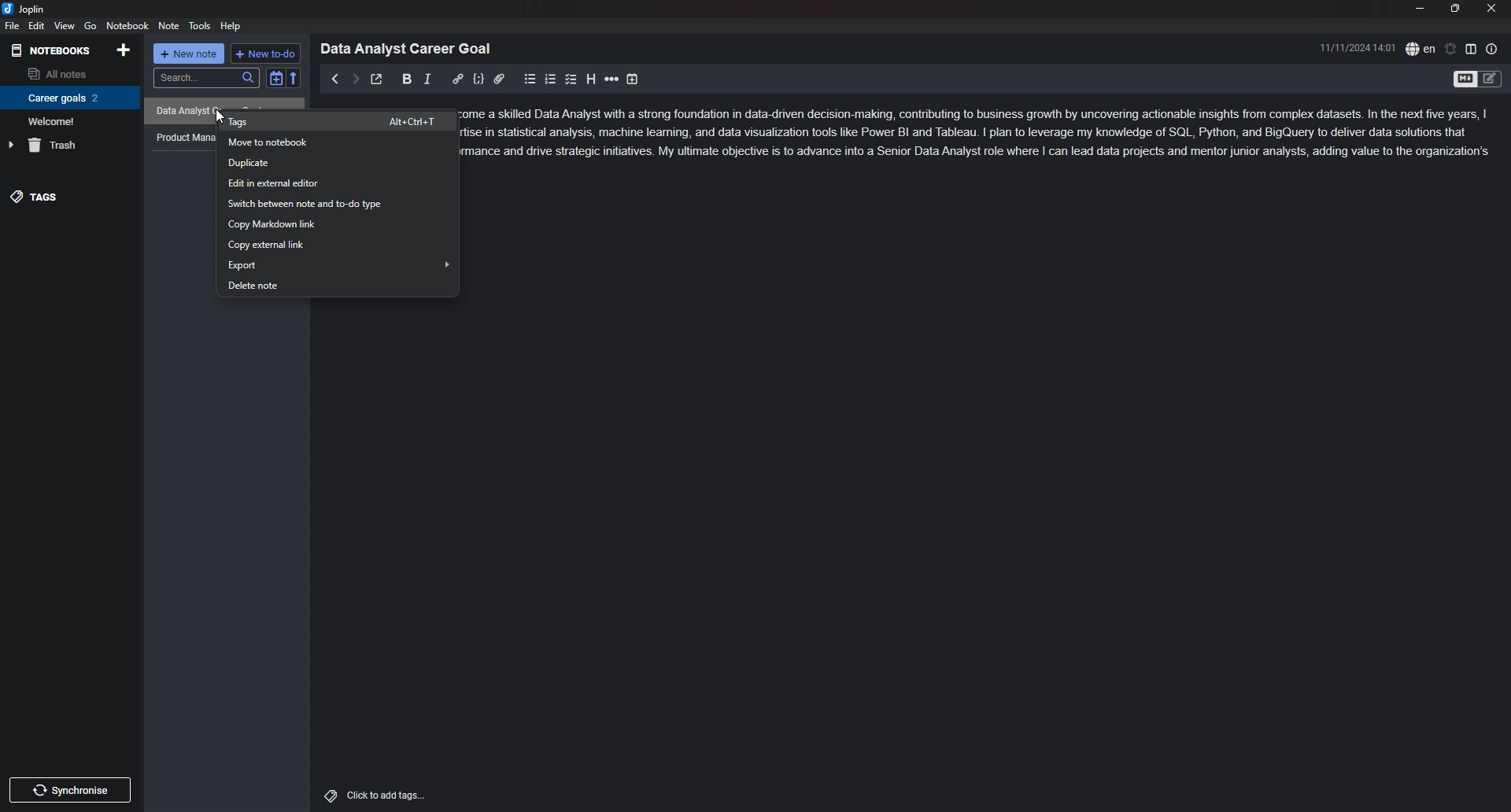 This screenshot has height=812, width=1511. Describe the element at coordinates (355, 79) in the screenshot. I see `next` at that location.